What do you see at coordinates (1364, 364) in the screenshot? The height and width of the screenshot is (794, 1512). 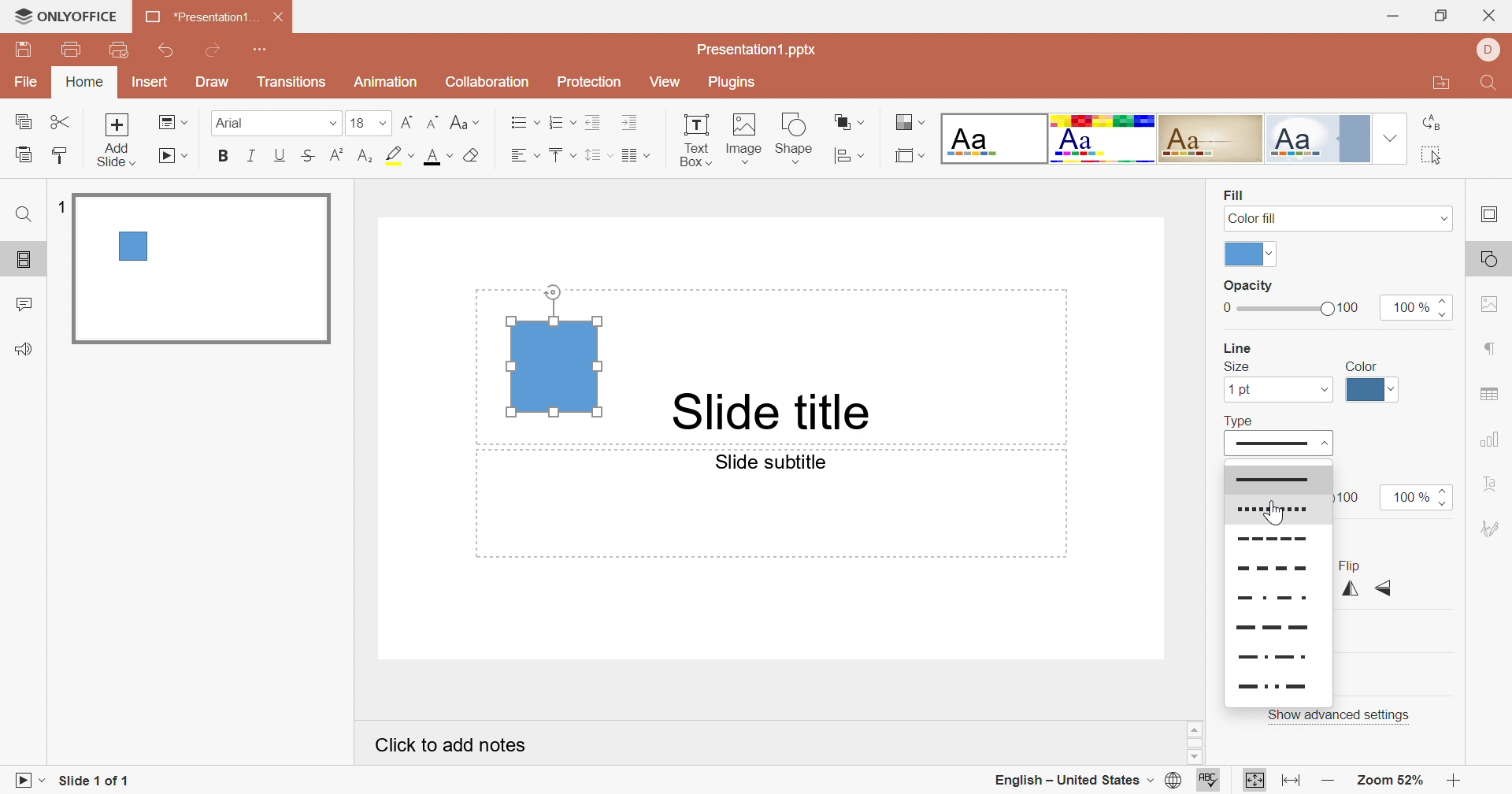 I see `Color` at bounding box center [1364, 364].